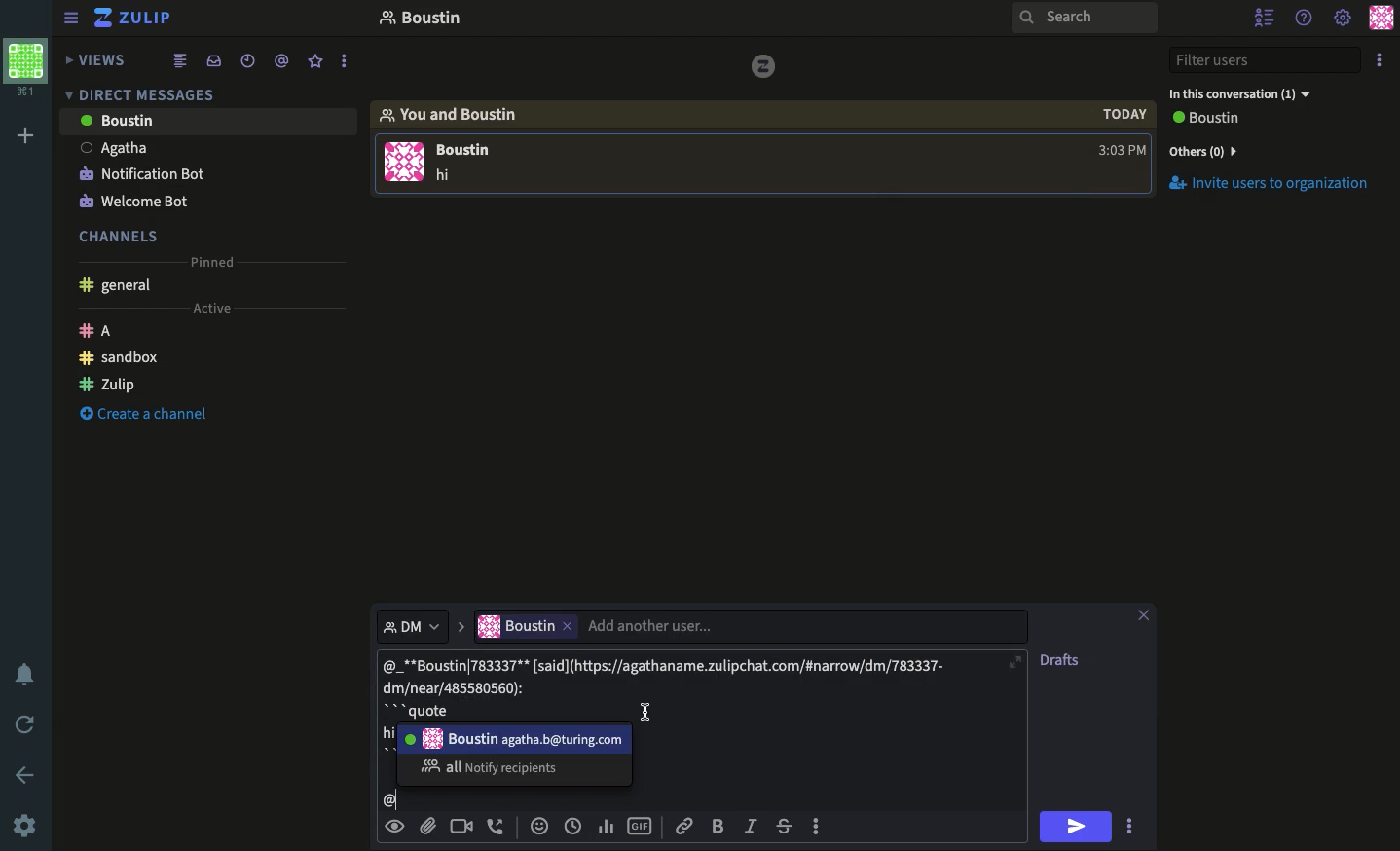 The image size is (1400, 851). What do you see at coordinates (1381, 62) in the screenshot?
I see `Options` at bounding box center [1381, 62].